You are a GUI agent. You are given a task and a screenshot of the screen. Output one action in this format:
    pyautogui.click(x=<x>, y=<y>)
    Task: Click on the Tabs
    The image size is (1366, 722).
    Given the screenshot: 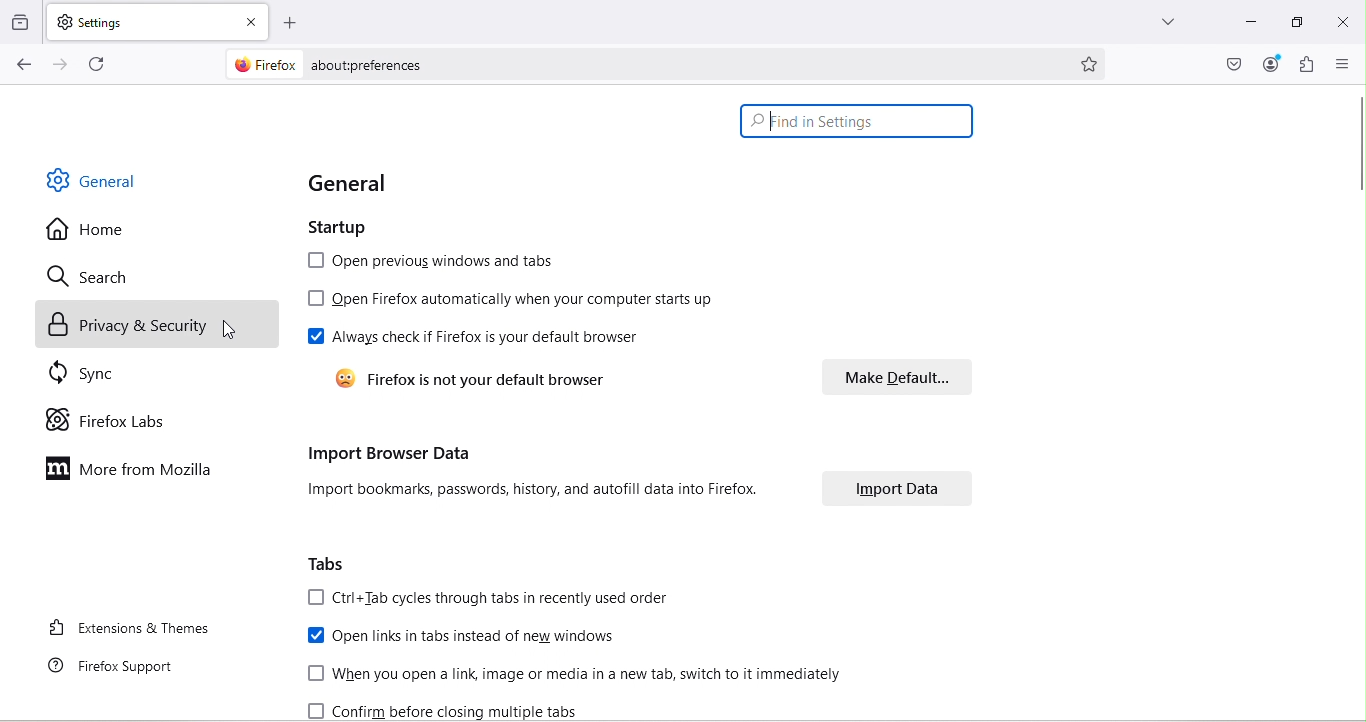 What is the action you would take?
    pyautogui.click(x=329, y=565)
    